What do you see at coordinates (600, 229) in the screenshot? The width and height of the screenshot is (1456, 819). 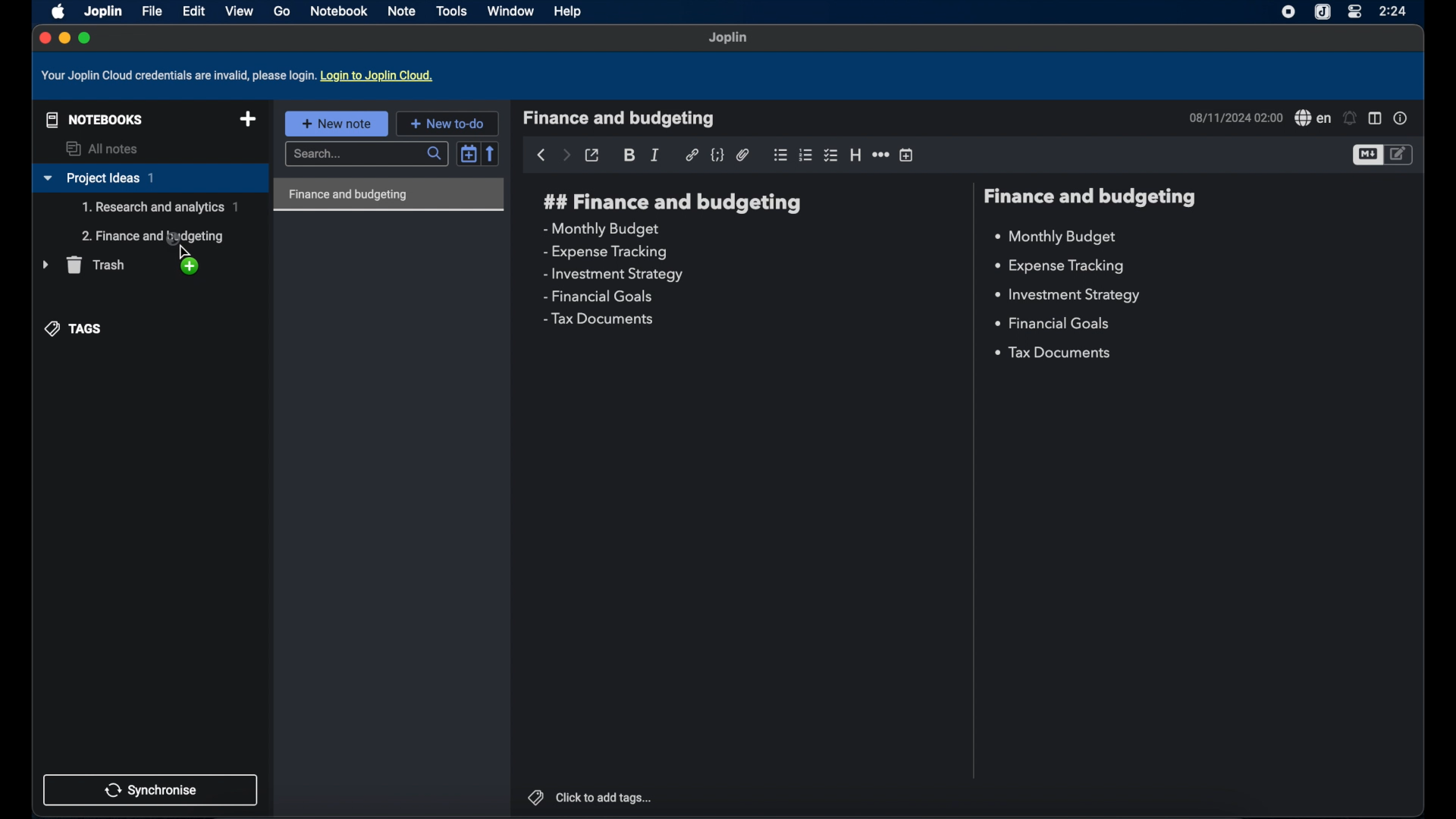 I see `monthly budget` at bounding box center [600, 229].